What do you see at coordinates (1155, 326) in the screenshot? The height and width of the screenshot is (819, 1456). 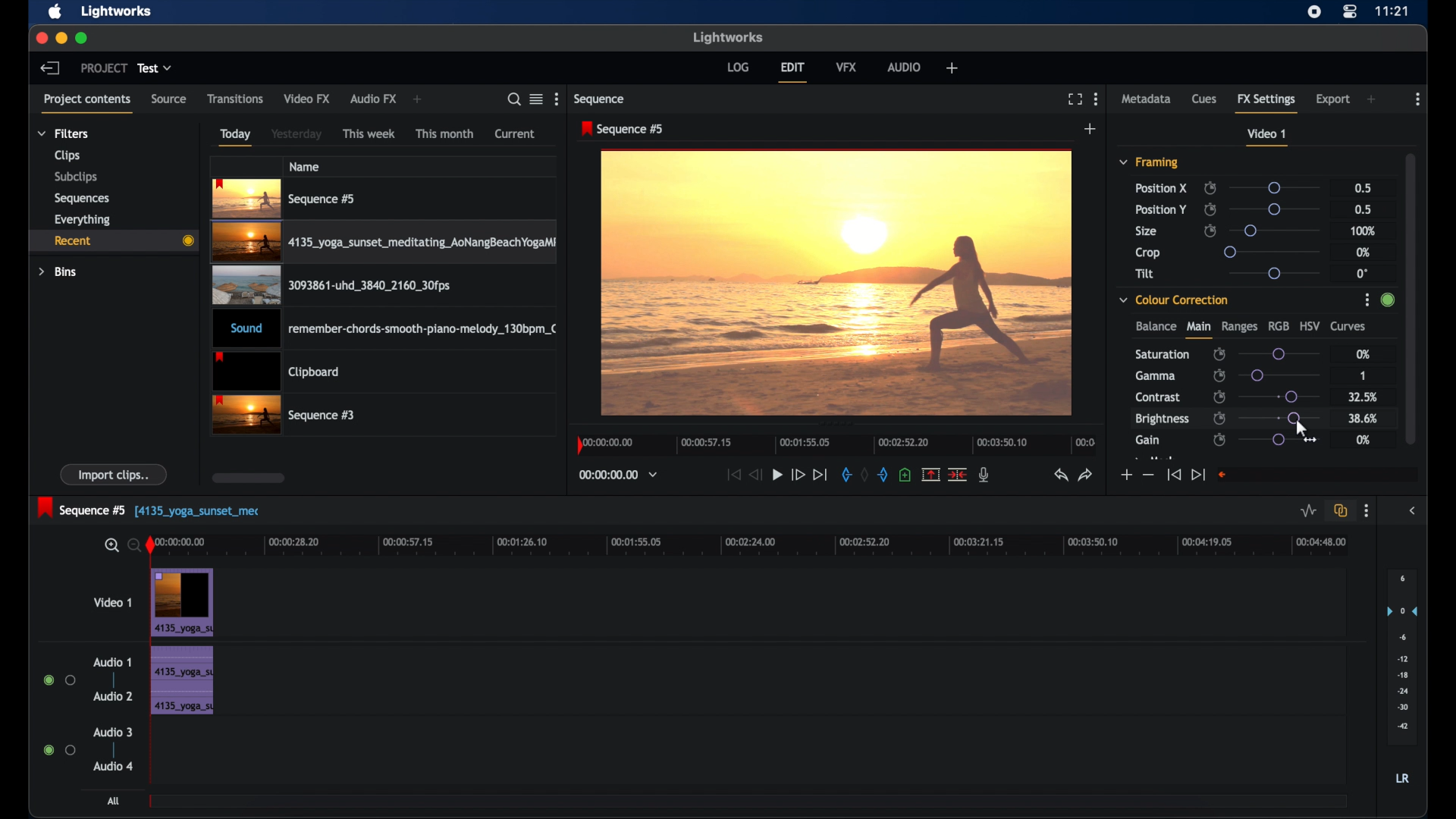 I see `balance` at bounding box center [1155, 326].